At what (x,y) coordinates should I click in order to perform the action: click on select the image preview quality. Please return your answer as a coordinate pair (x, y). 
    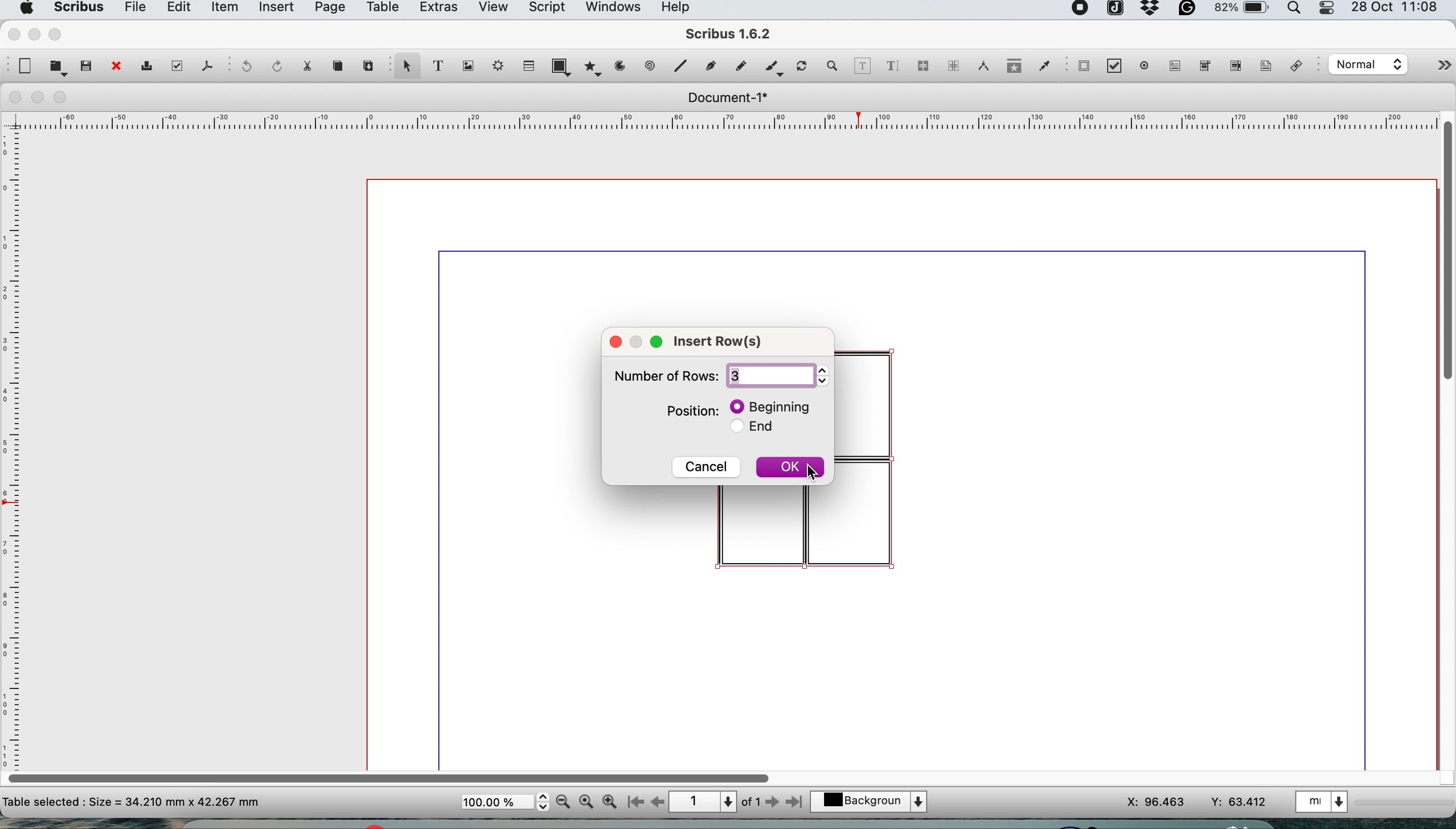
    Looking at the image, I should click on (1365, 64).